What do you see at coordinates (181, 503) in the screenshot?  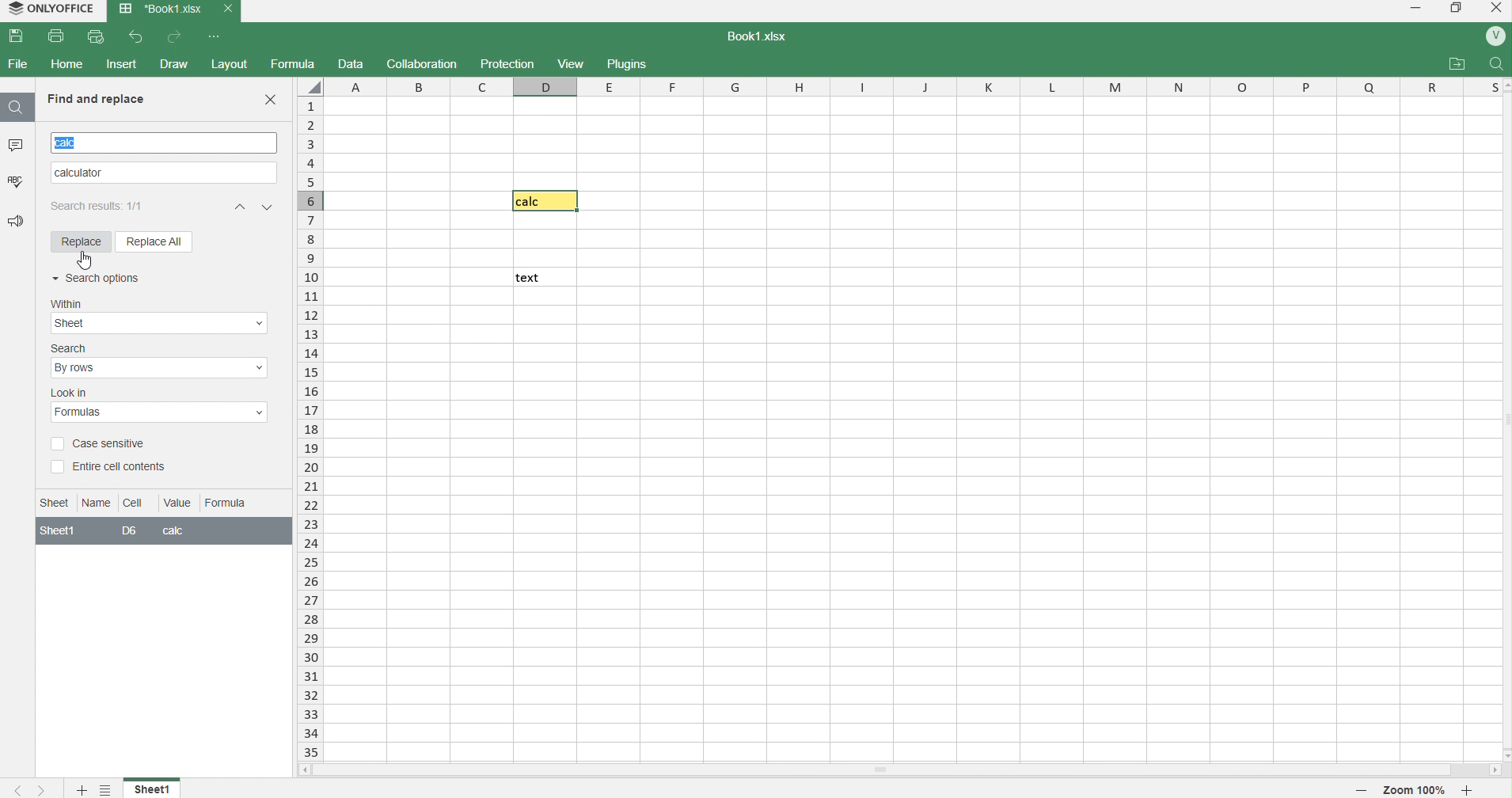 I see `Value` at bounding box center [181, 503].